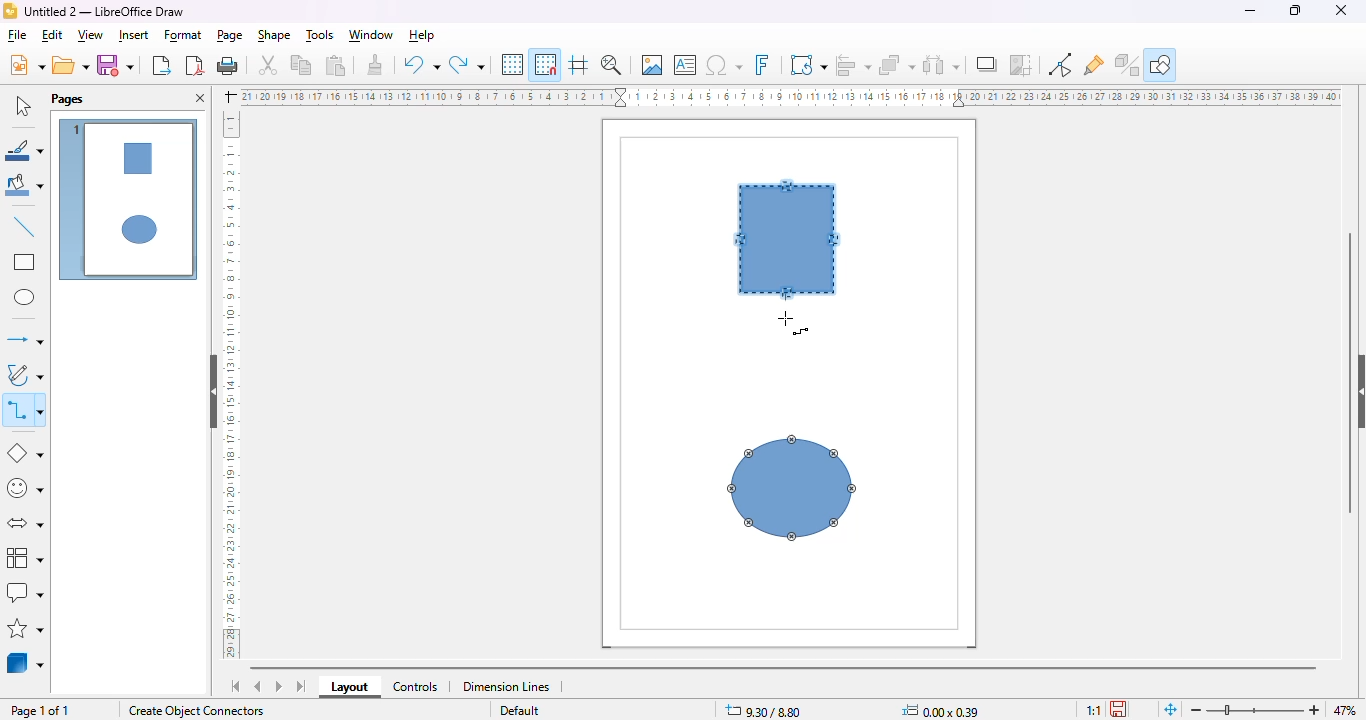 The width and height of the screenshot is (1366, 720). Describe the element at coordinates (1345, 710) in the screenshot. I see `zoom factor` at that location.